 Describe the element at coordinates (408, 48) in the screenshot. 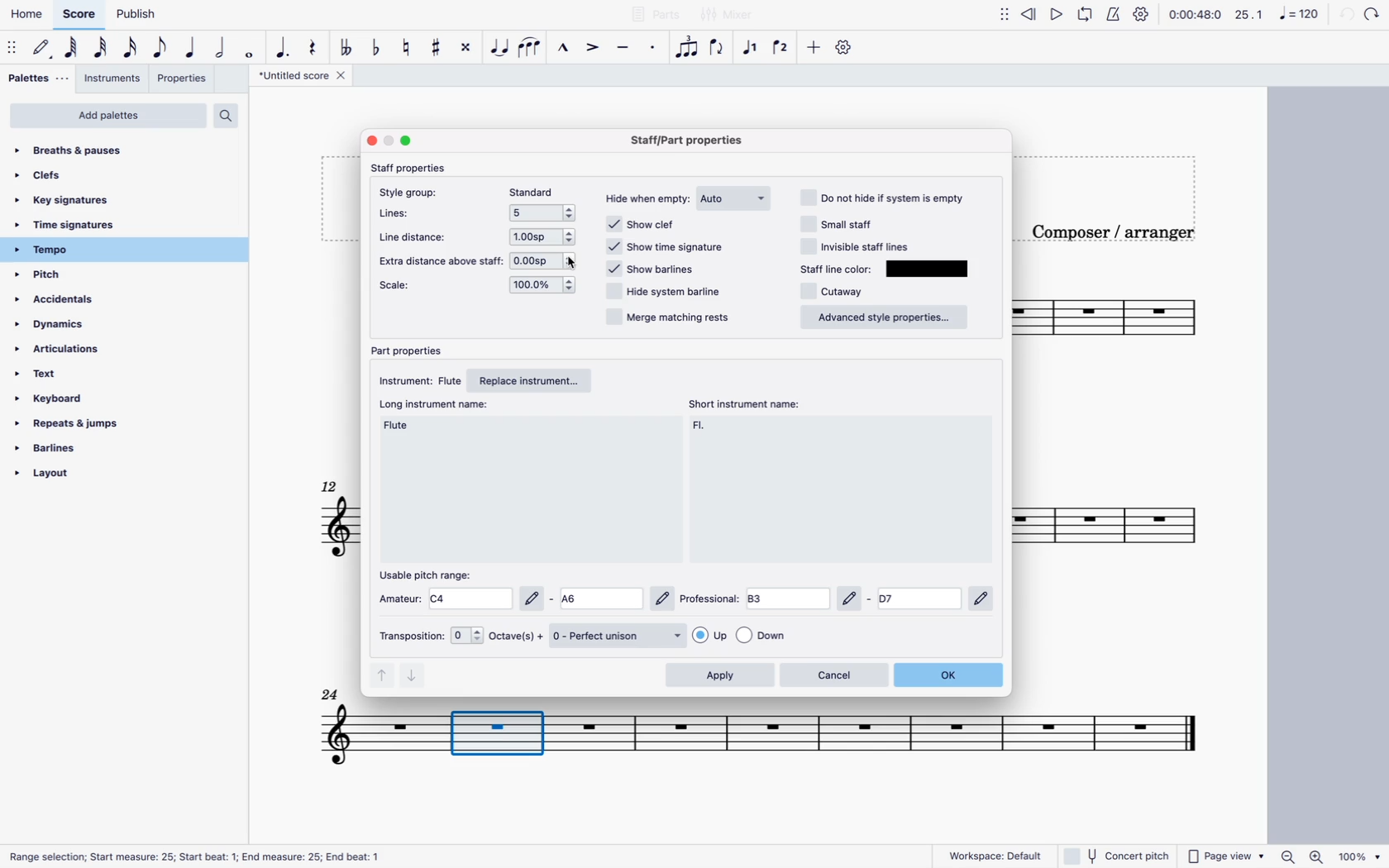

I see `toggle natural` at that location.